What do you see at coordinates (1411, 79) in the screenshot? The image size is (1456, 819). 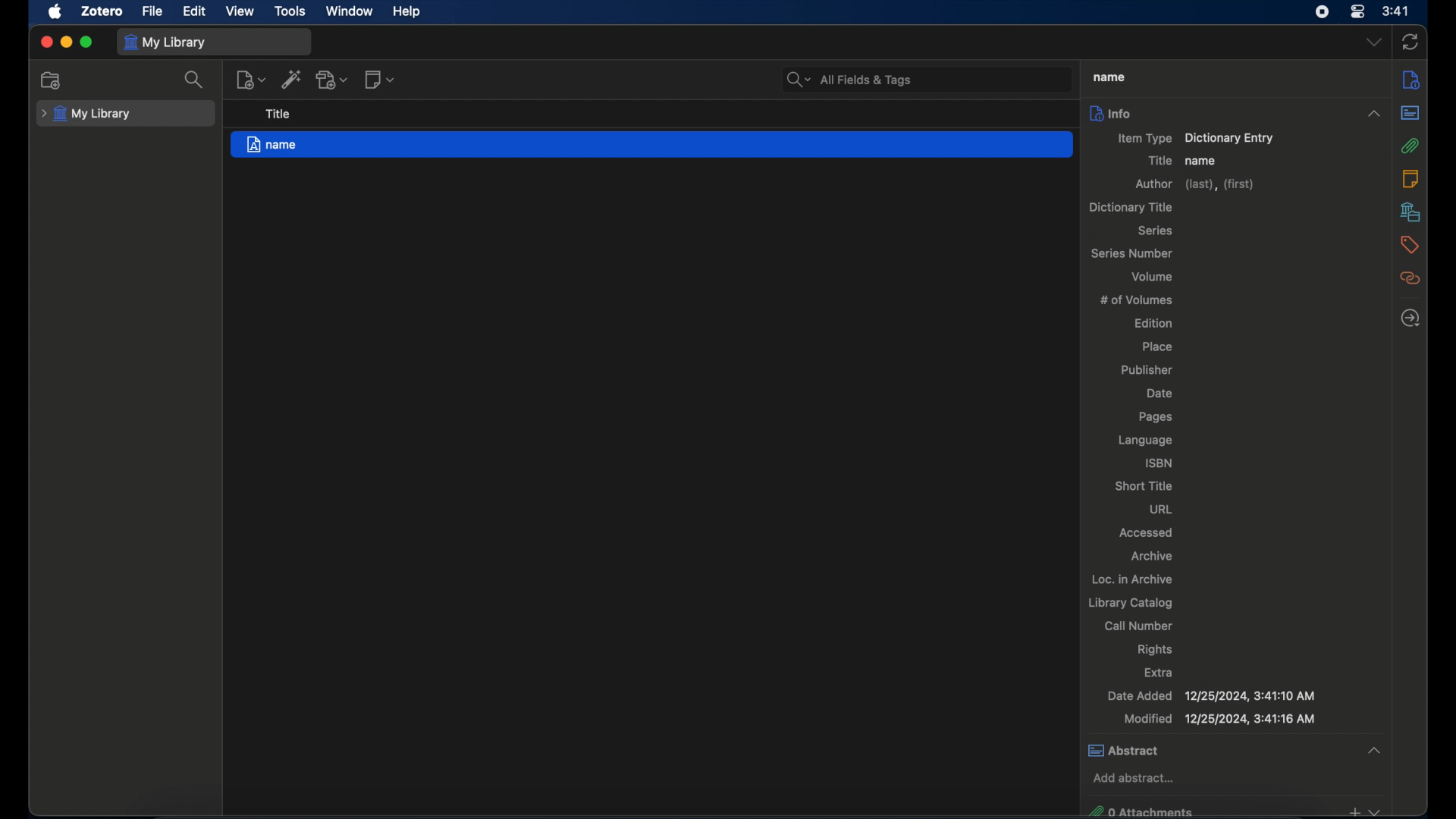 I see `info` at bounding box center [1411, 79].